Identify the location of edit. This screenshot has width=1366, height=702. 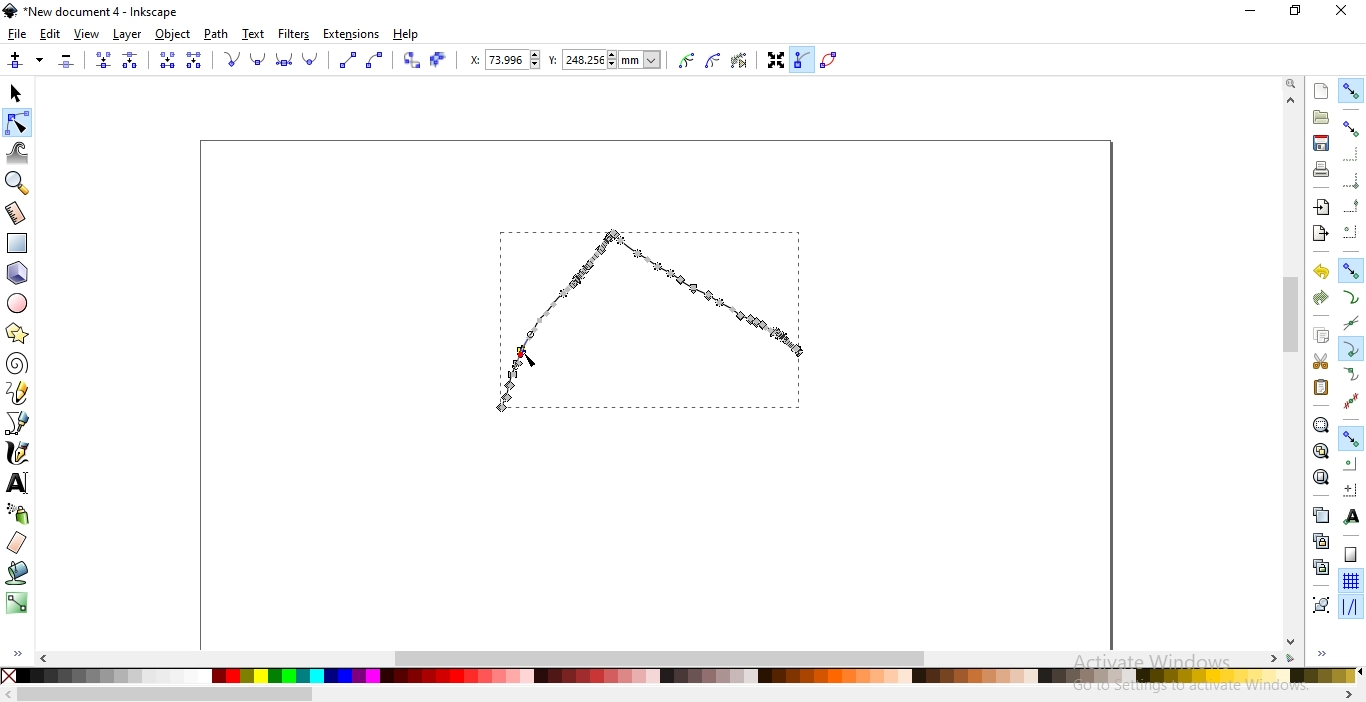
(50, 36).